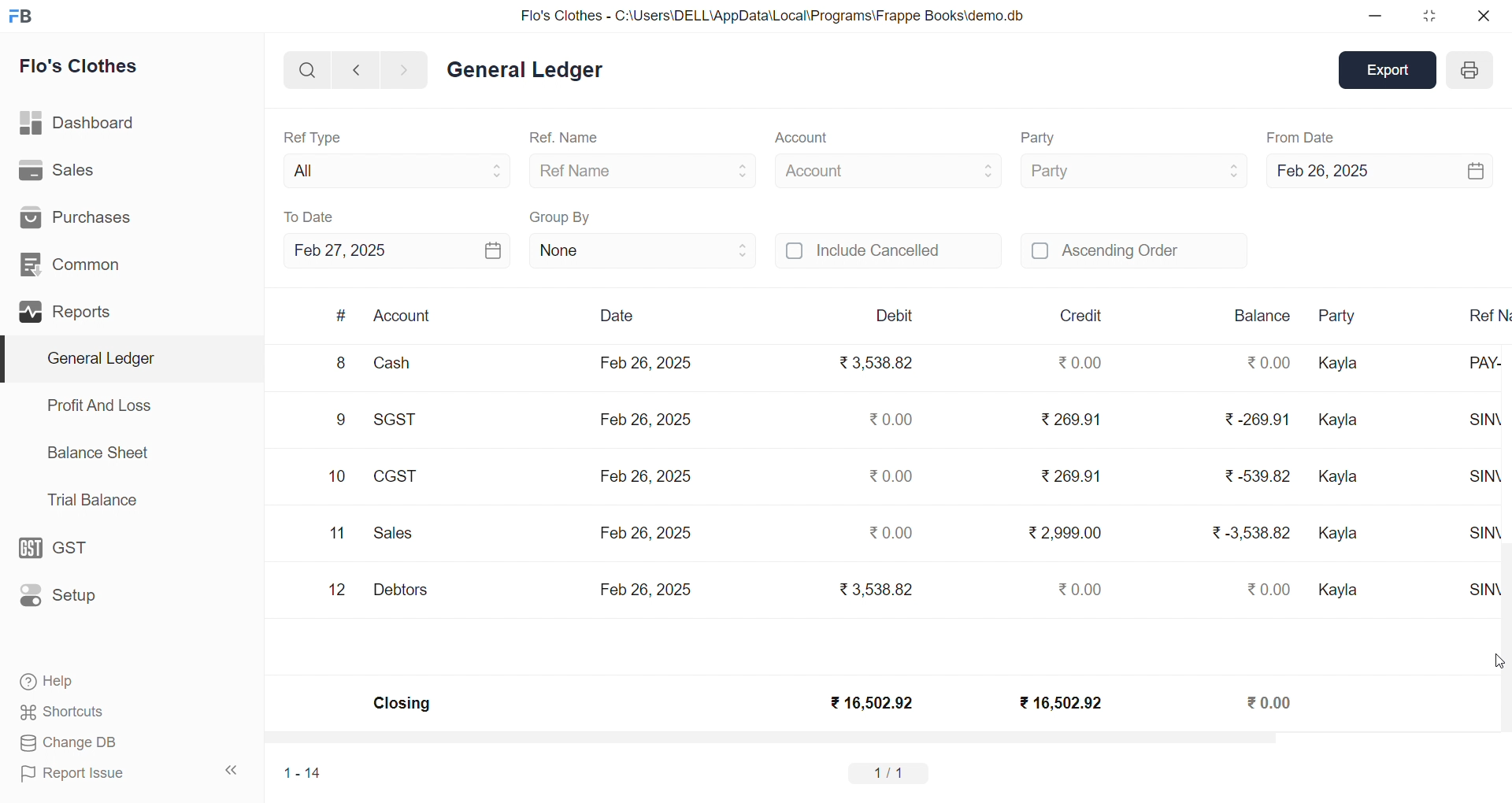  Describe the element at coordinates (1503, 656) in the screenshot. I see `CURSOR` at that location.